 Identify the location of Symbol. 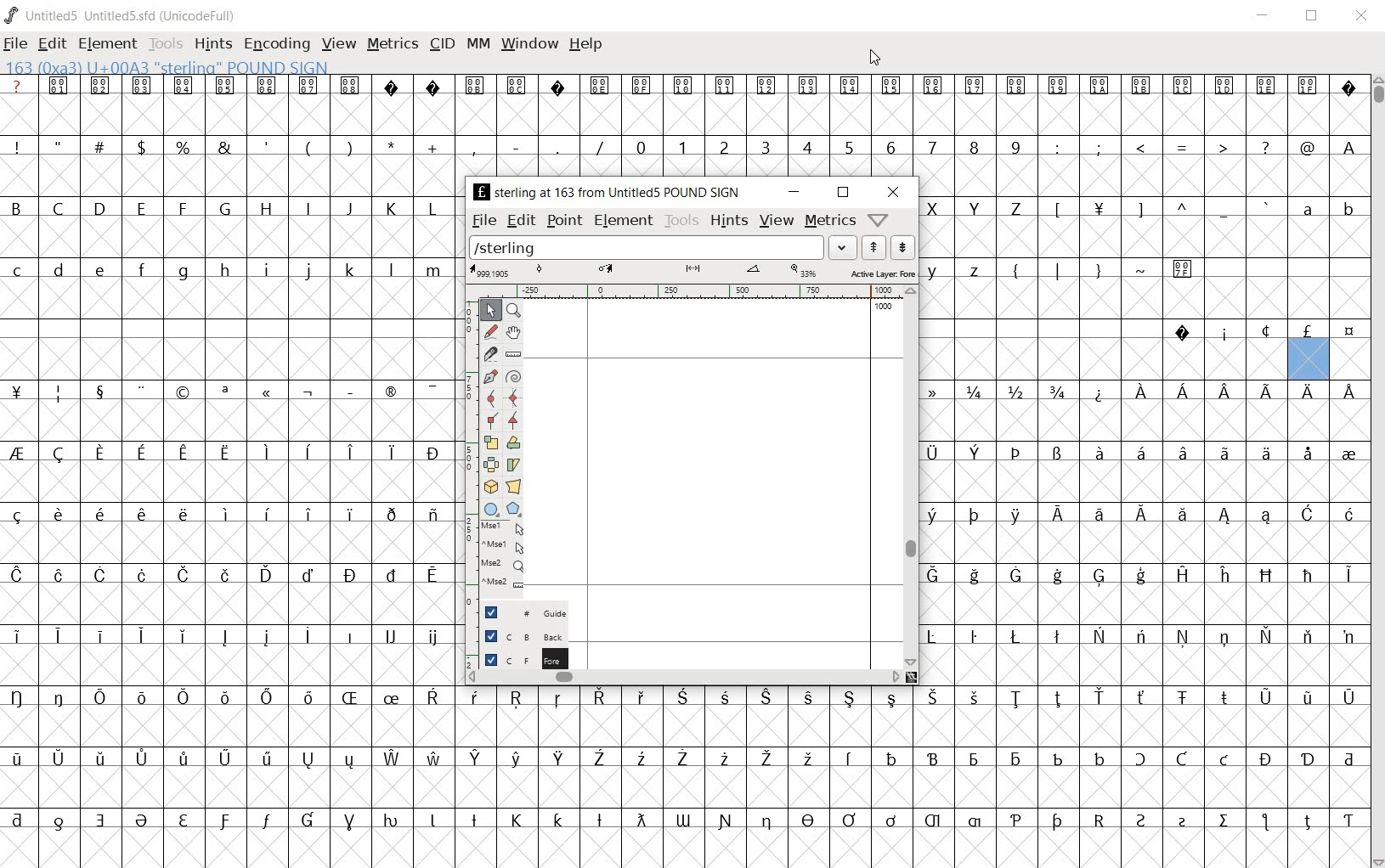
(20, 392).